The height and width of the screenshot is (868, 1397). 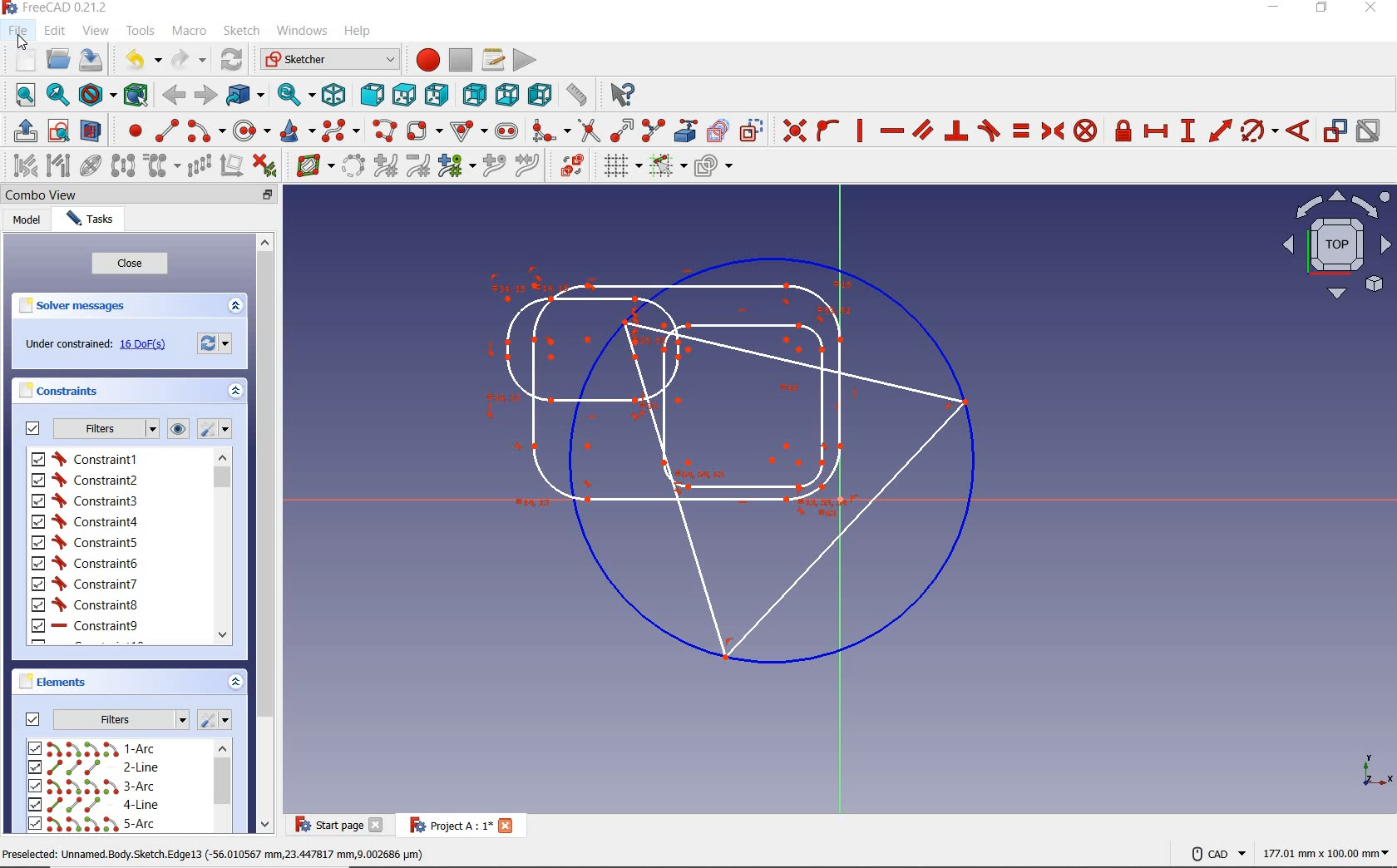 What do you see at coordinates (957, 131) in the screenshot?
I see `constrain perpendicular` at bounding box center [957, 131].